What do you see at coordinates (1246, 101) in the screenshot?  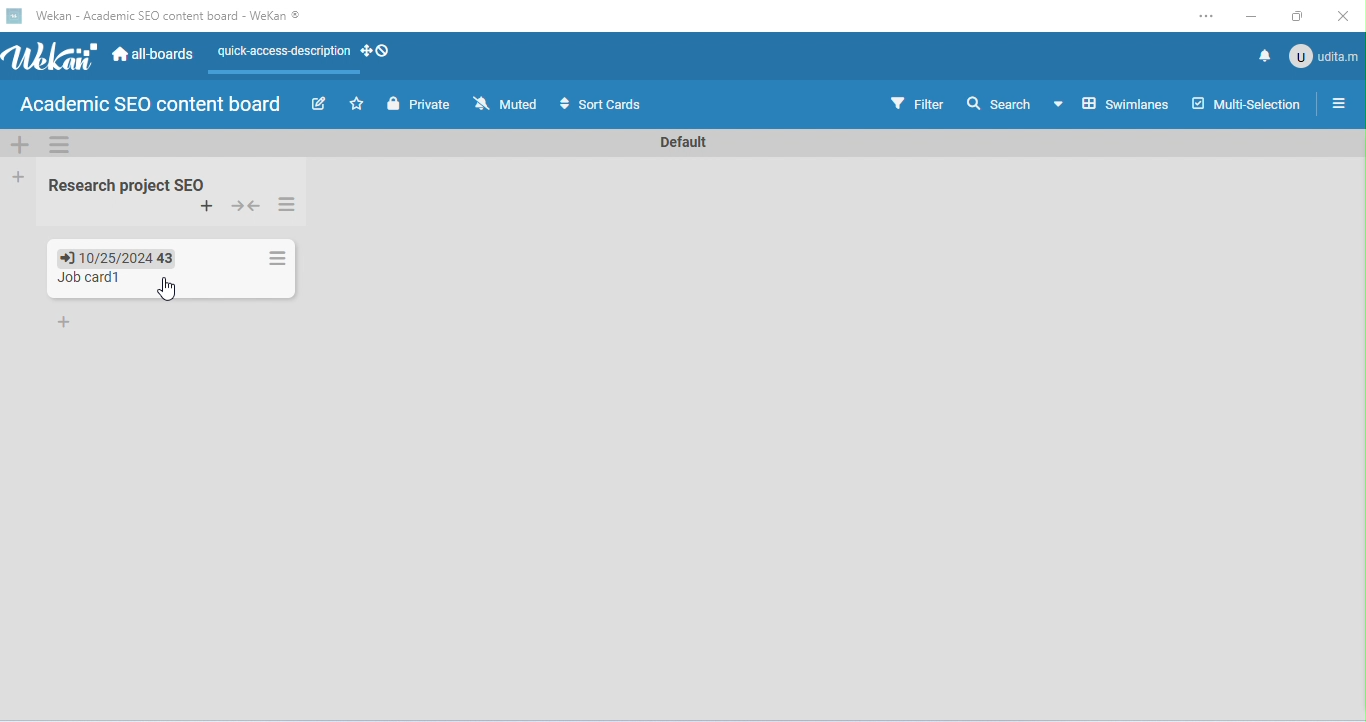 I see `multi-selection` at bounding box center [1246, 101].